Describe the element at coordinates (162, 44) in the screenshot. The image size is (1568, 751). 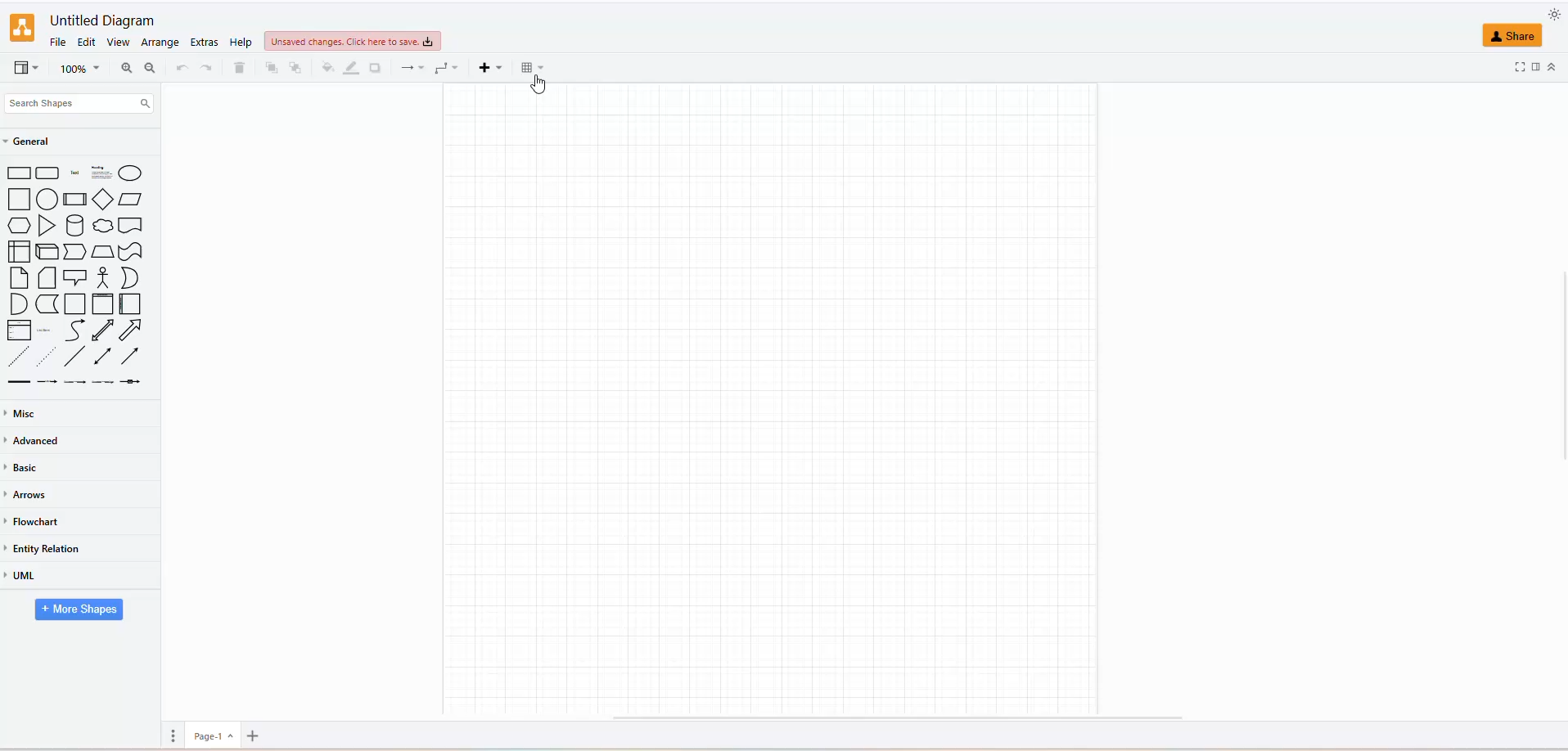
I see `arrange` at that location.